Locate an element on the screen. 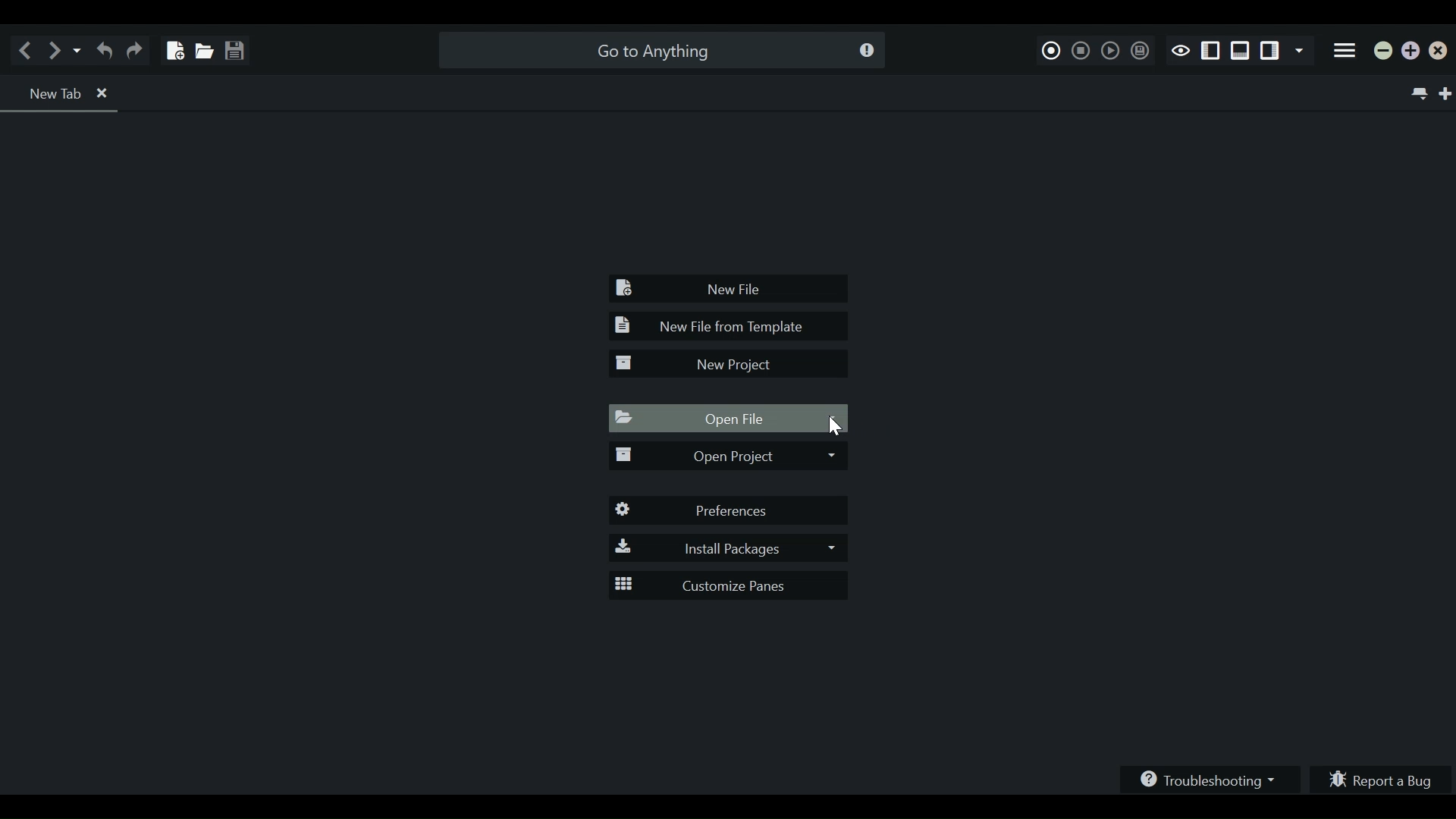 This screenshot has height=819, width=1456. Show/Hide Left Pane  is located at coordinates (1272, 52).